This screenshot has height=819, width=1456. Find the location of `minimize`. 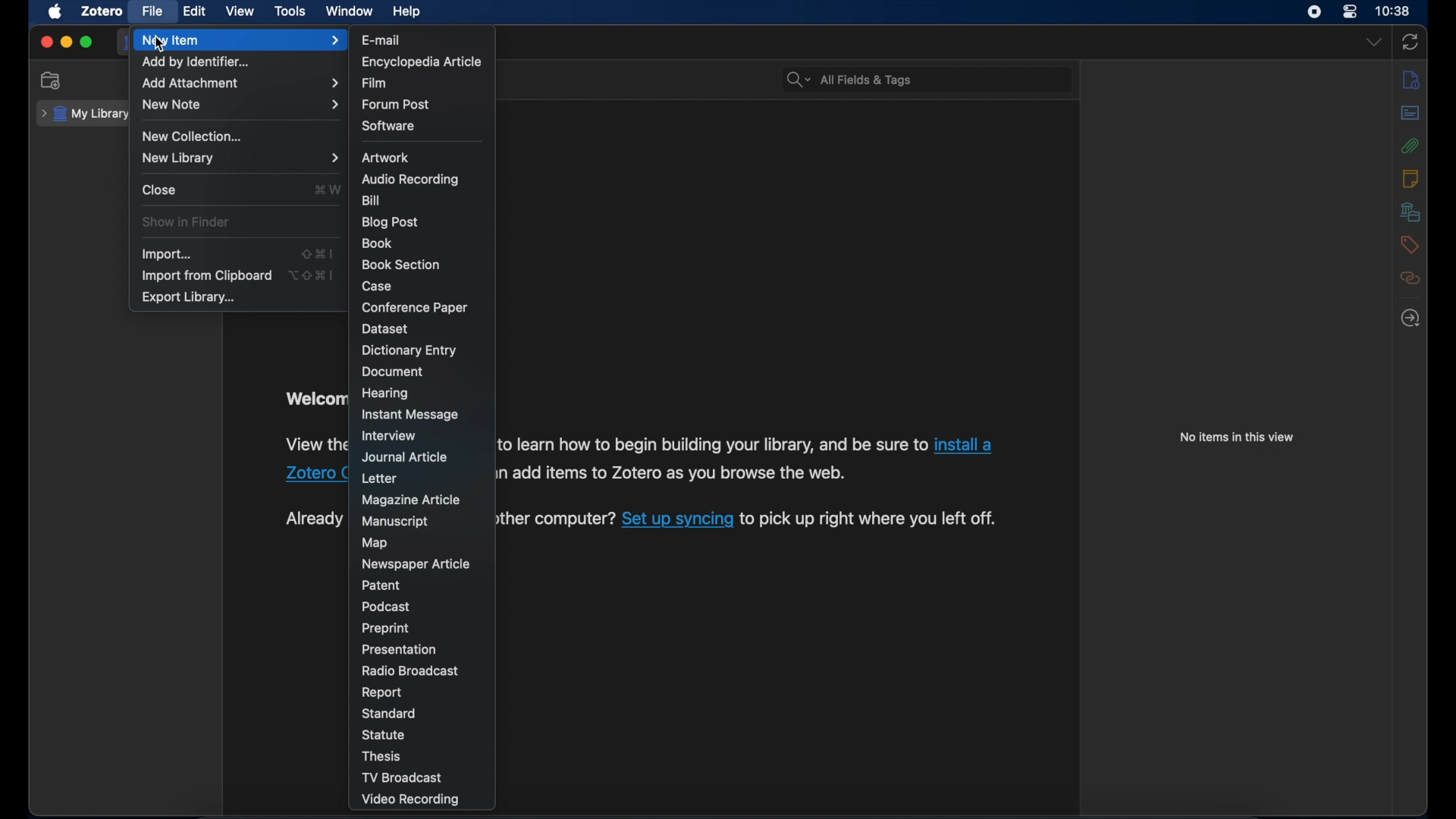

minimize is located at coordinates (65, 42).